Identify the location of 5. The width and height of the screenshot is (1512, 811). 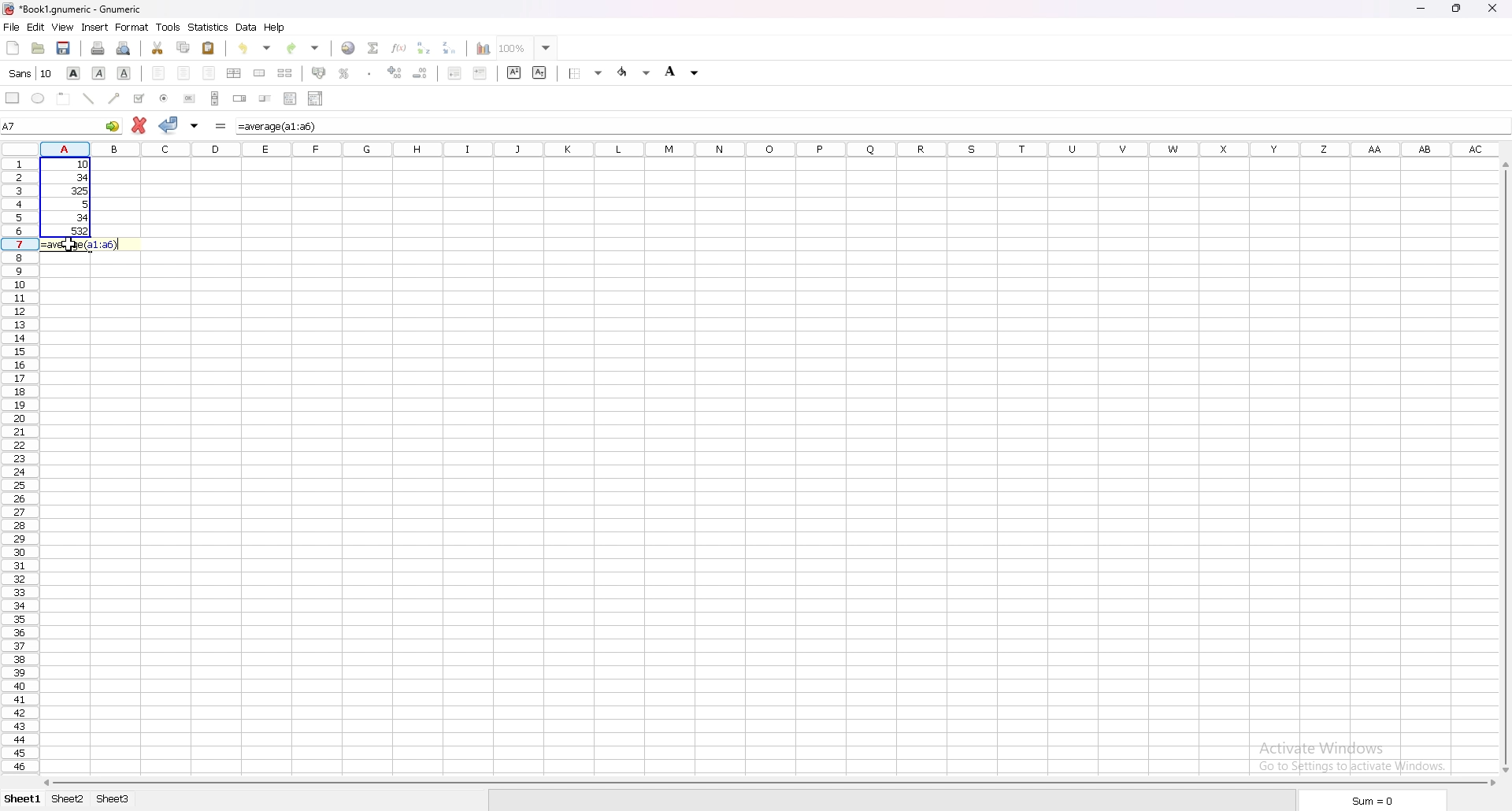
(74, 205).